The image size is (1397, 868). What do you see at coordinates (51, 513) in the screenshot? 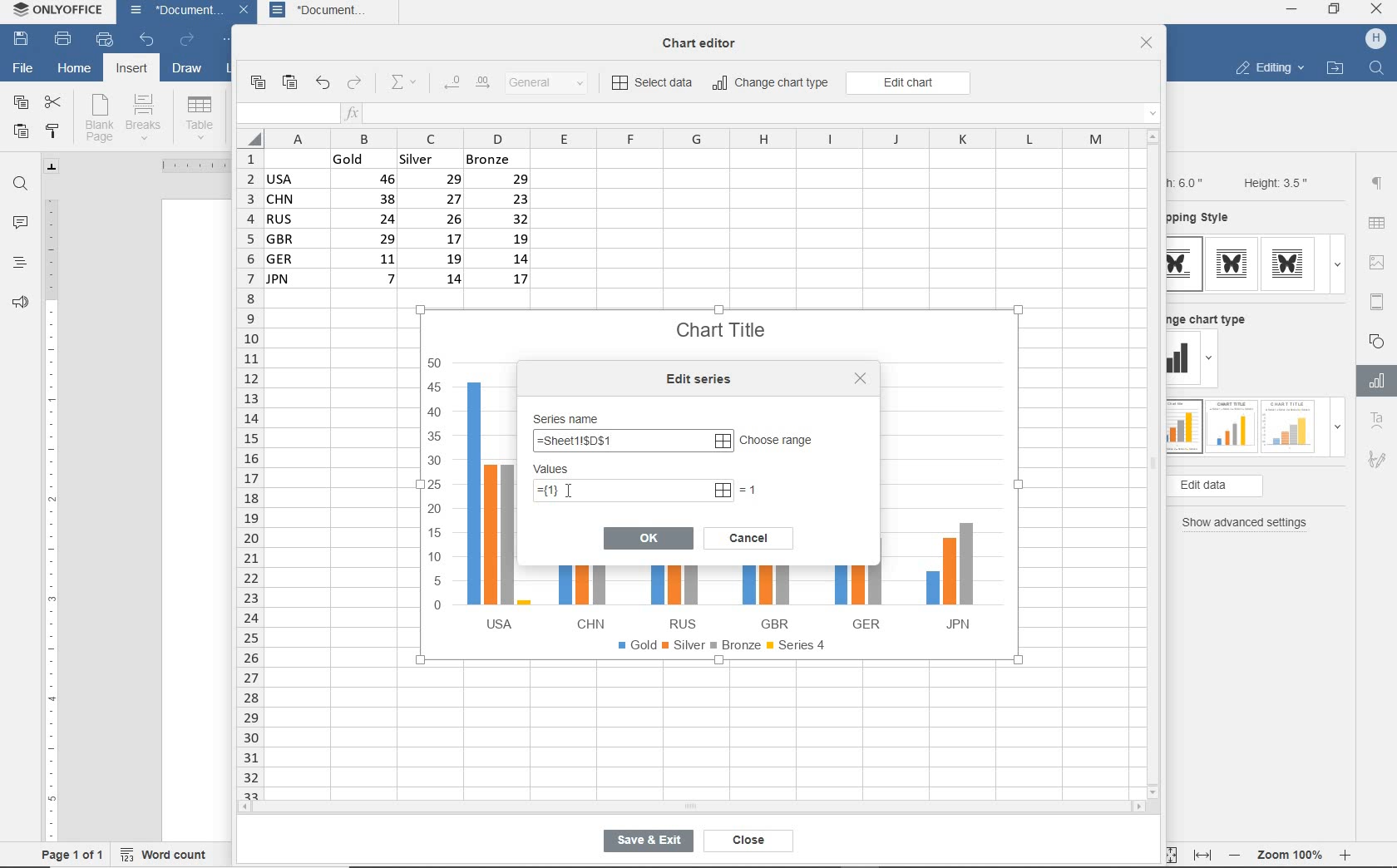
I see `ruler` at bounding box center [51, 513].